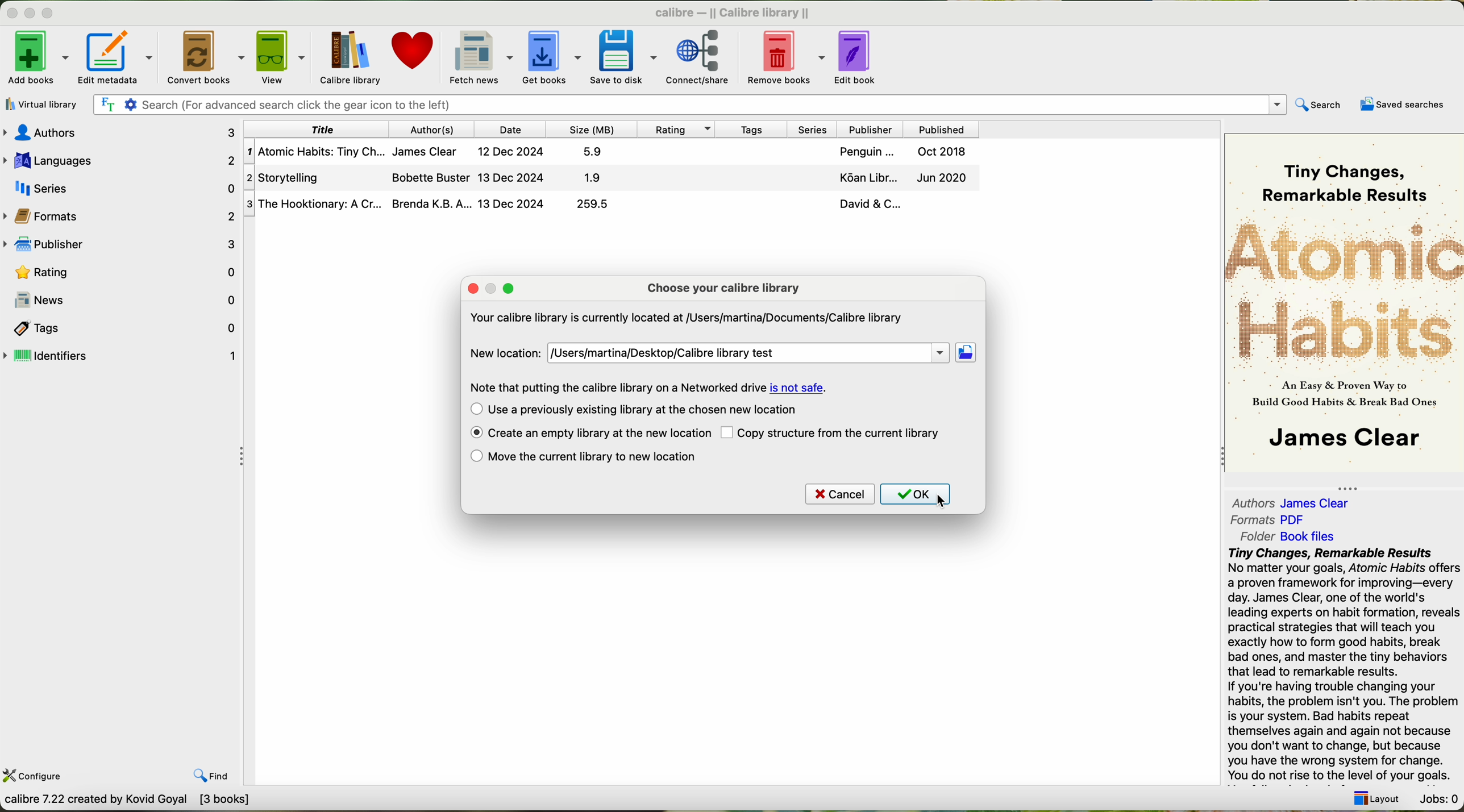  I want to click on rating, so click(673, 128).